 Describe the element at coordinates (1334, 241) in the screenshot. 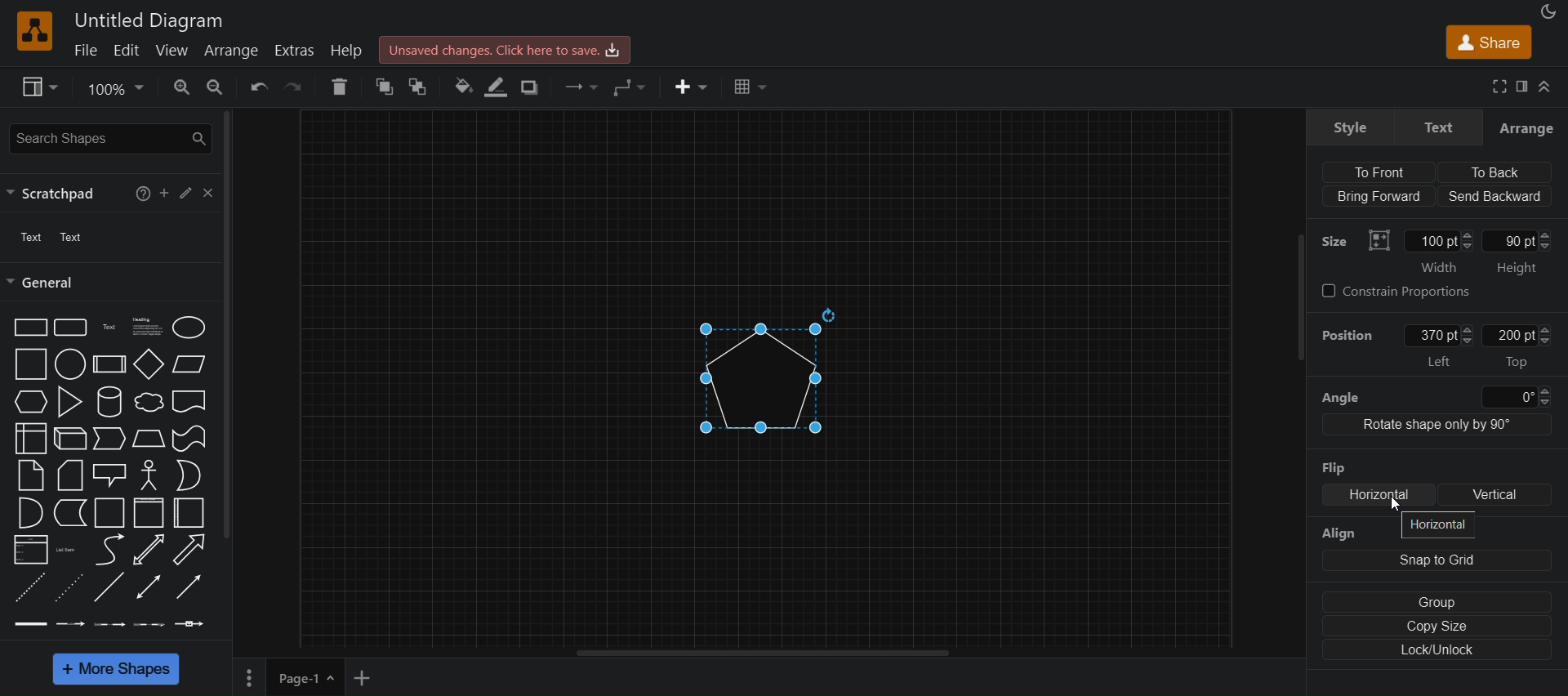

I see `Size` at that location.